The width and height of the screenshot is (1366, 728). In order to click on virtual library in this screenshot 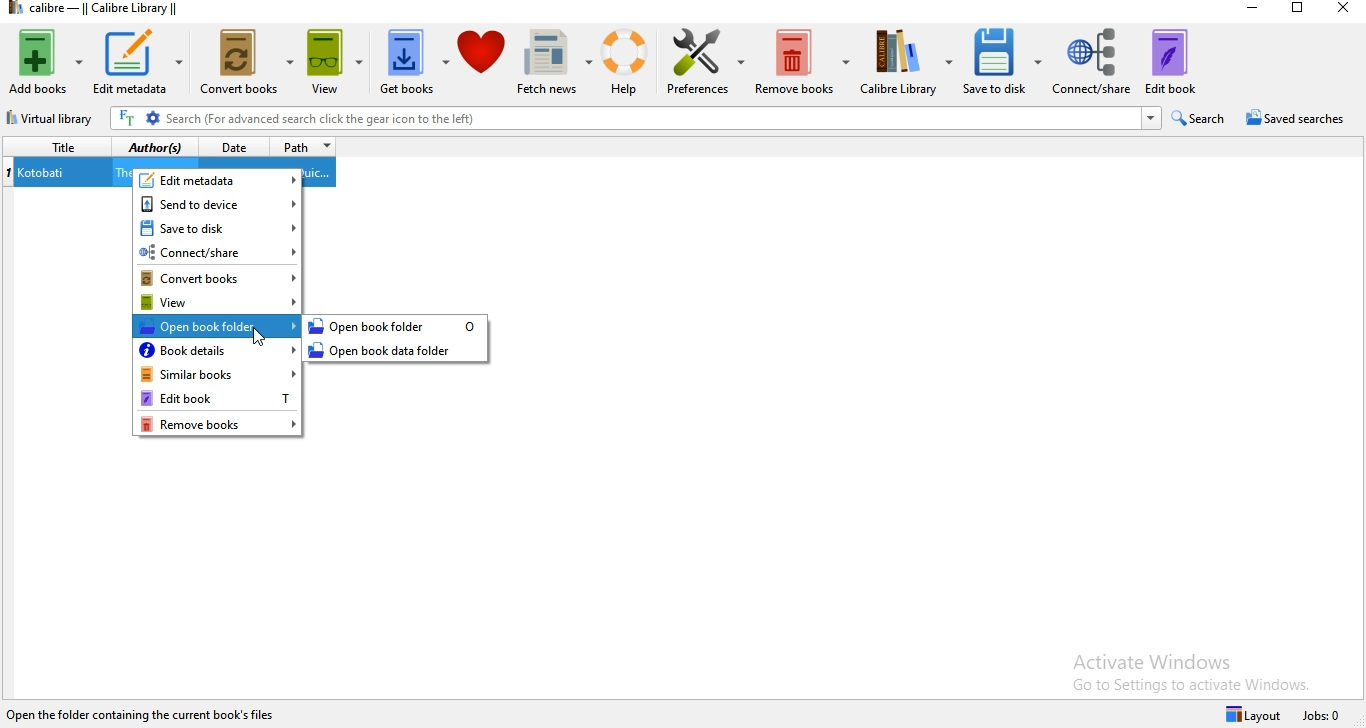, I will do `click(50, 120)`.